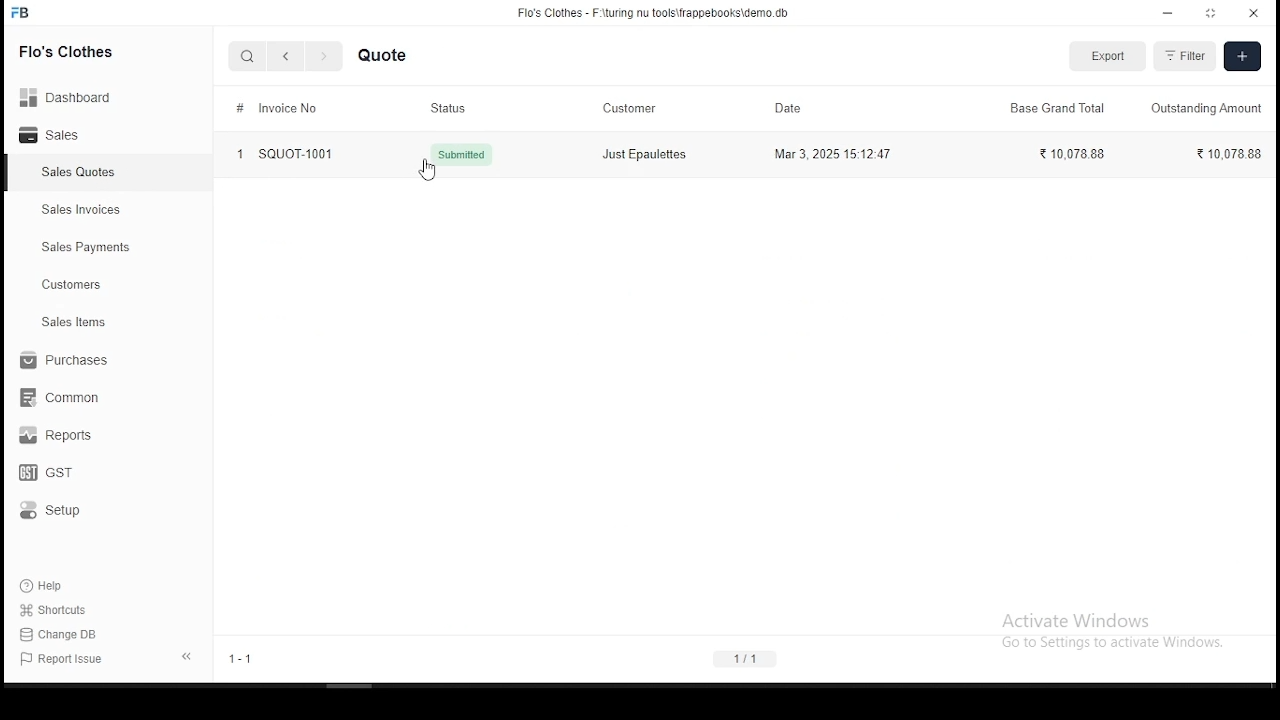 The height and width of the screenshot is (720, 1280). What do you see at coordinates (82, 53) in the screenshot?
I see `Flo's clothes` at bounding box center [82, 53].